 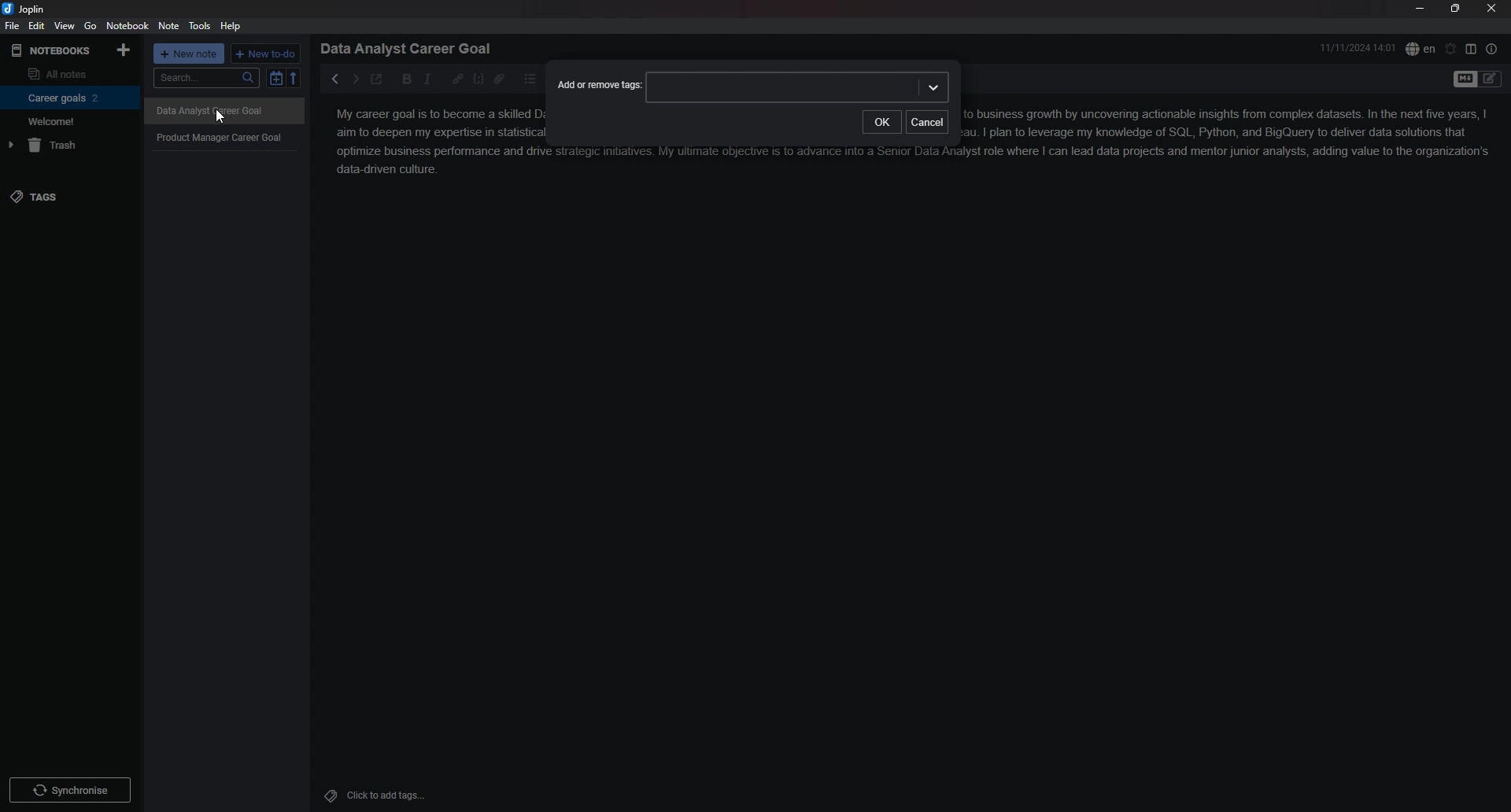 What do you see at coordinates (65, 26) in the screenshot?
I see `view` at bounding box center [65, 26].